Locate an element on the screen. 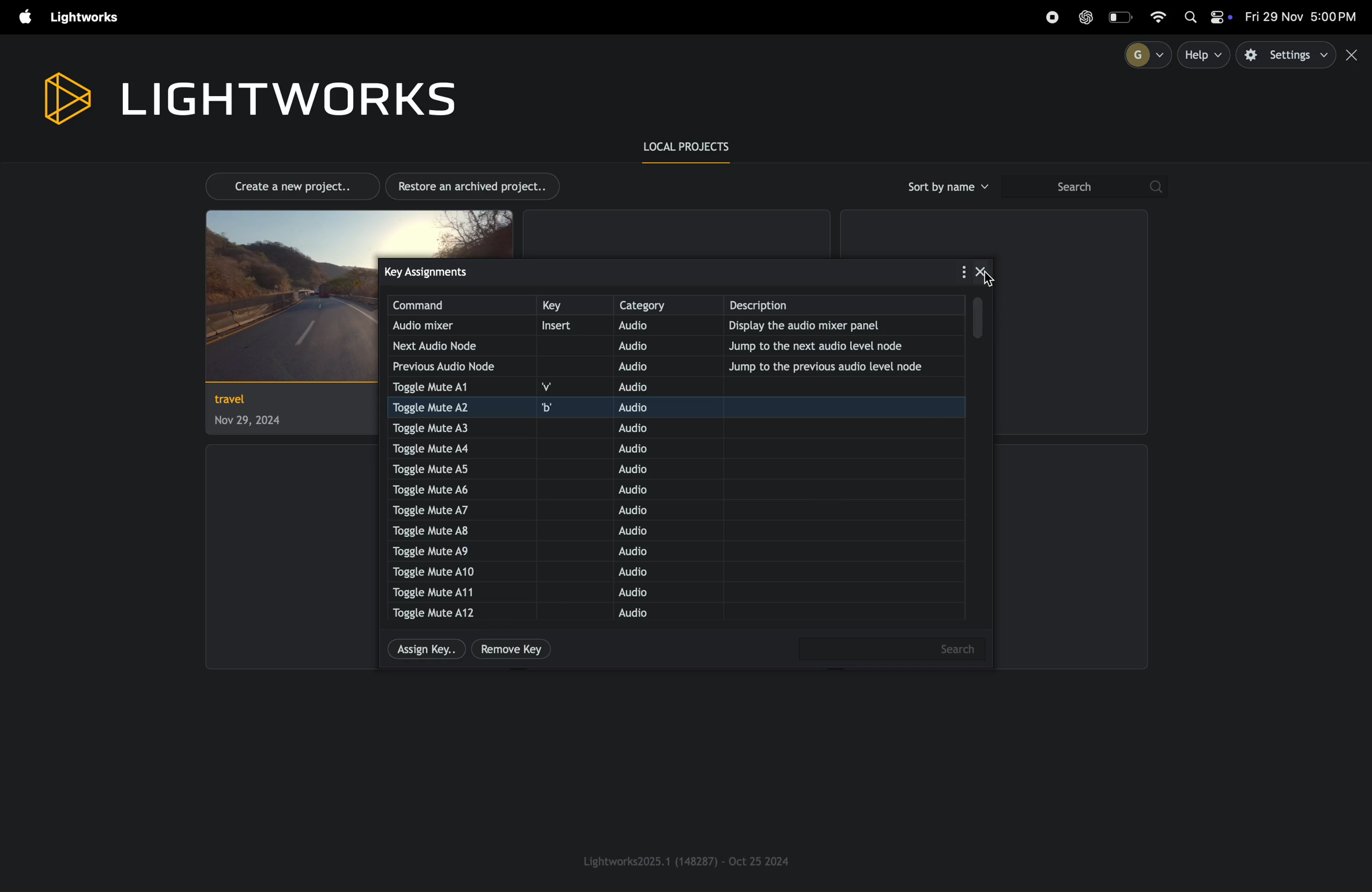  audio is located at coordinates (654, 386).